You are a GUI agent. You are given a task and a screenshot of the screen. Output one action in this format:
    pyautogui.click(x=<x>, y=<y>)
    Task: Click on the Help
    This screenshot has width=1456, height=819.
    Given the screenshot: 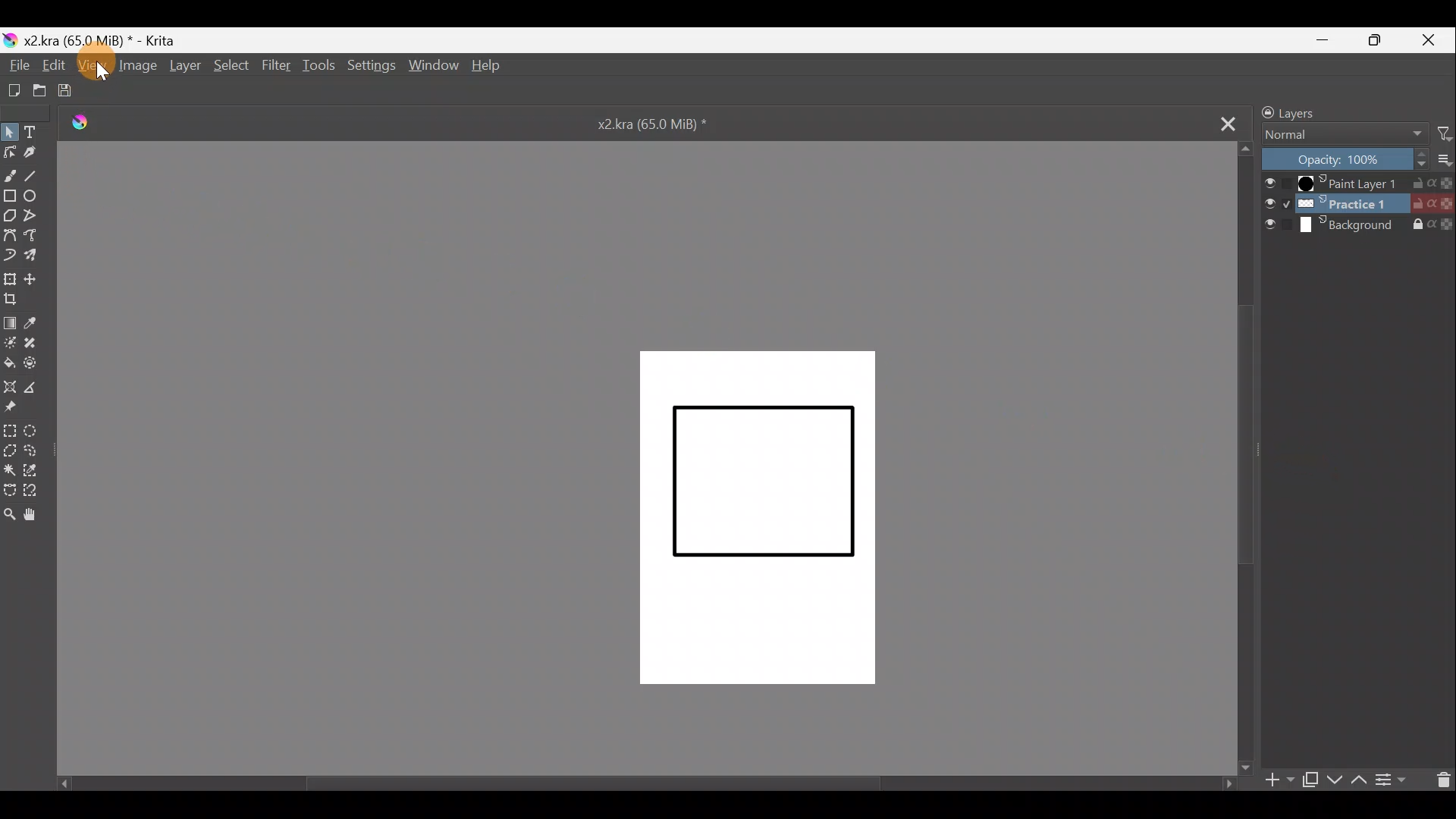 What is the action you would take?
    pyautogui.click(x=488, y=67)
    